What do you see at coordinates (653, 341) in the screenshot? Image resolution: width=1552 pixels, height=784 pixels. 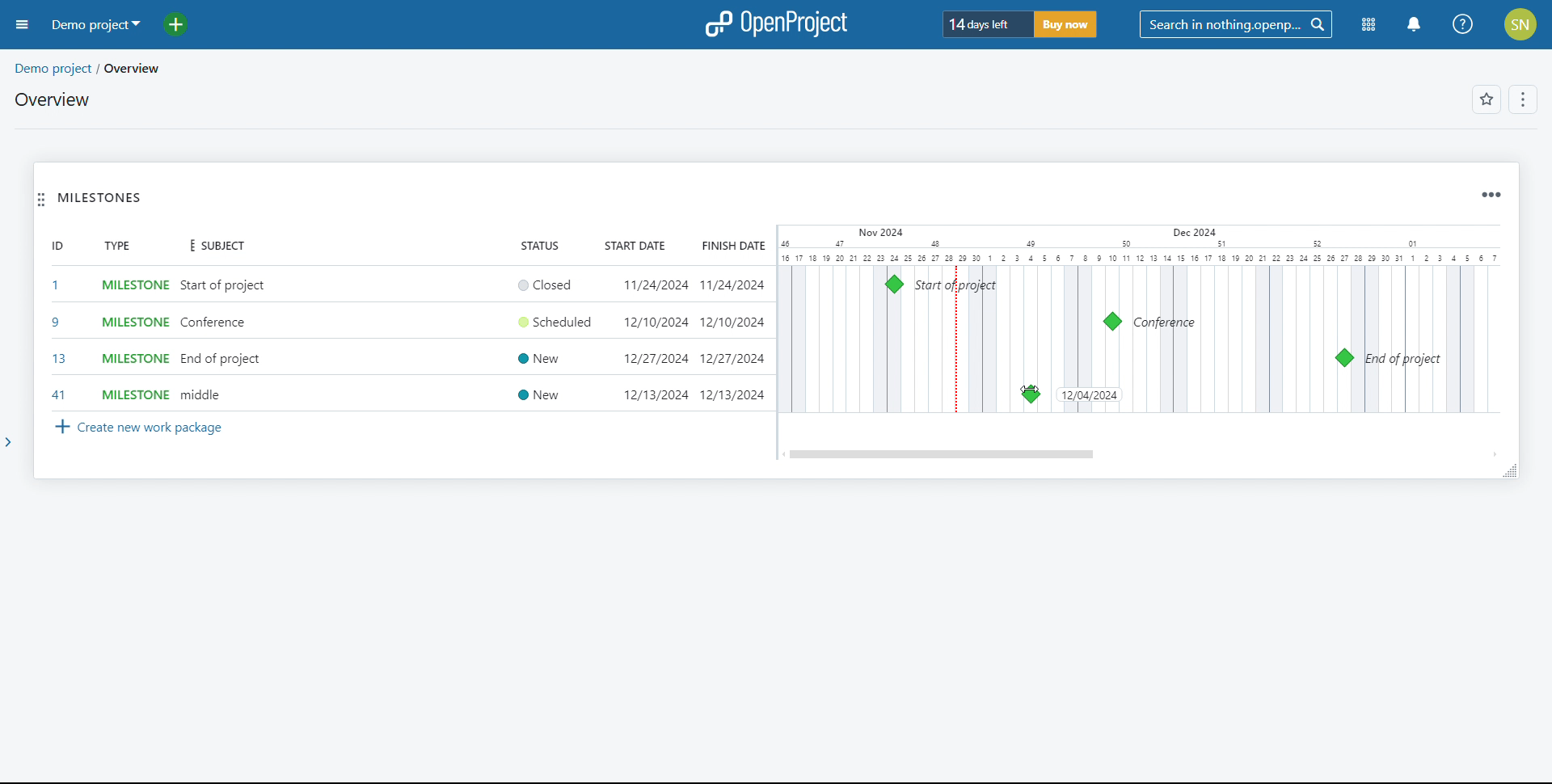 I see `set start date` at bounding box center [653, 341].